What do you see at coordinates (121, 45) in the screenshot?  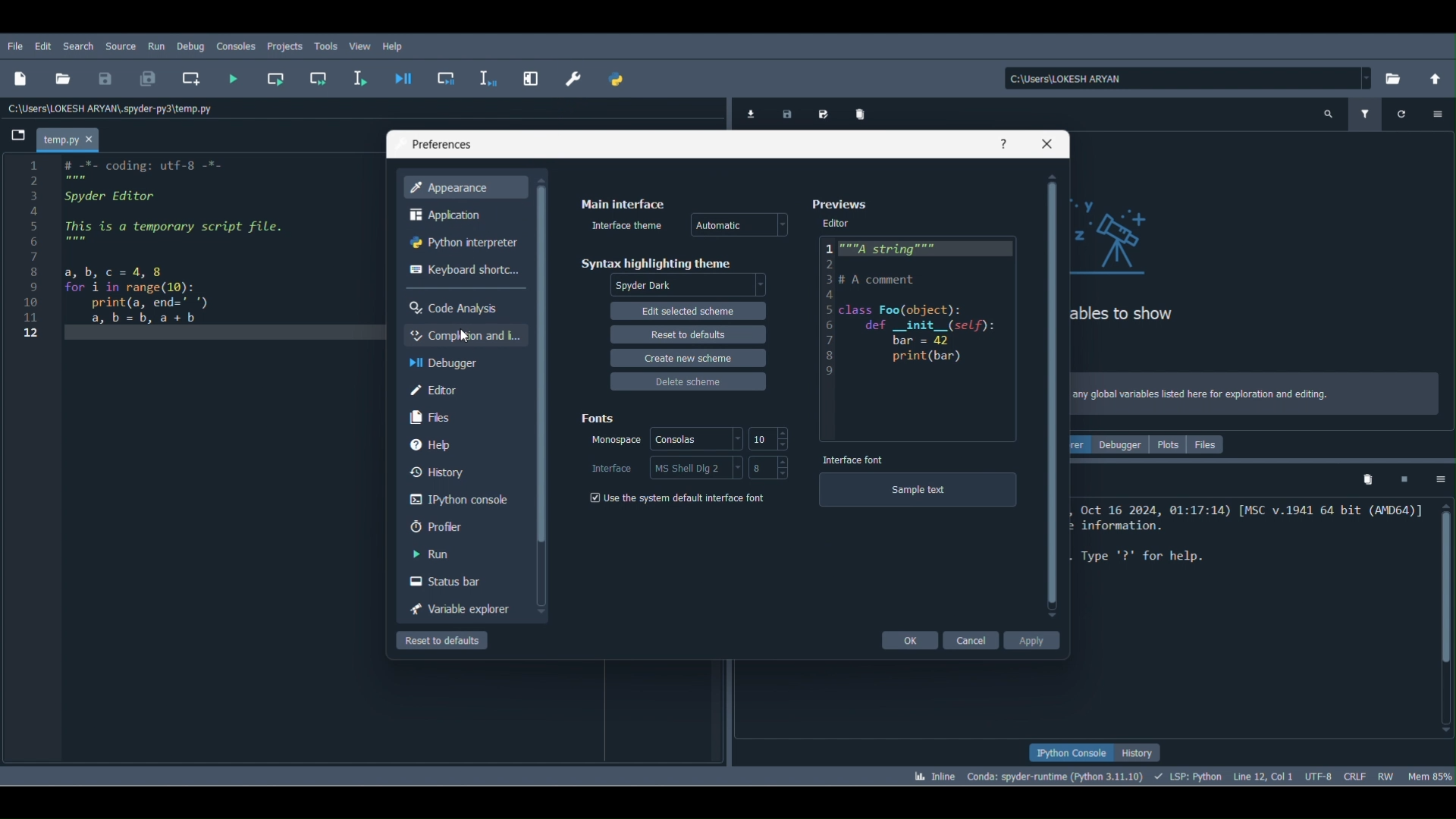 I see `Source` at bounding box center [121, 45].